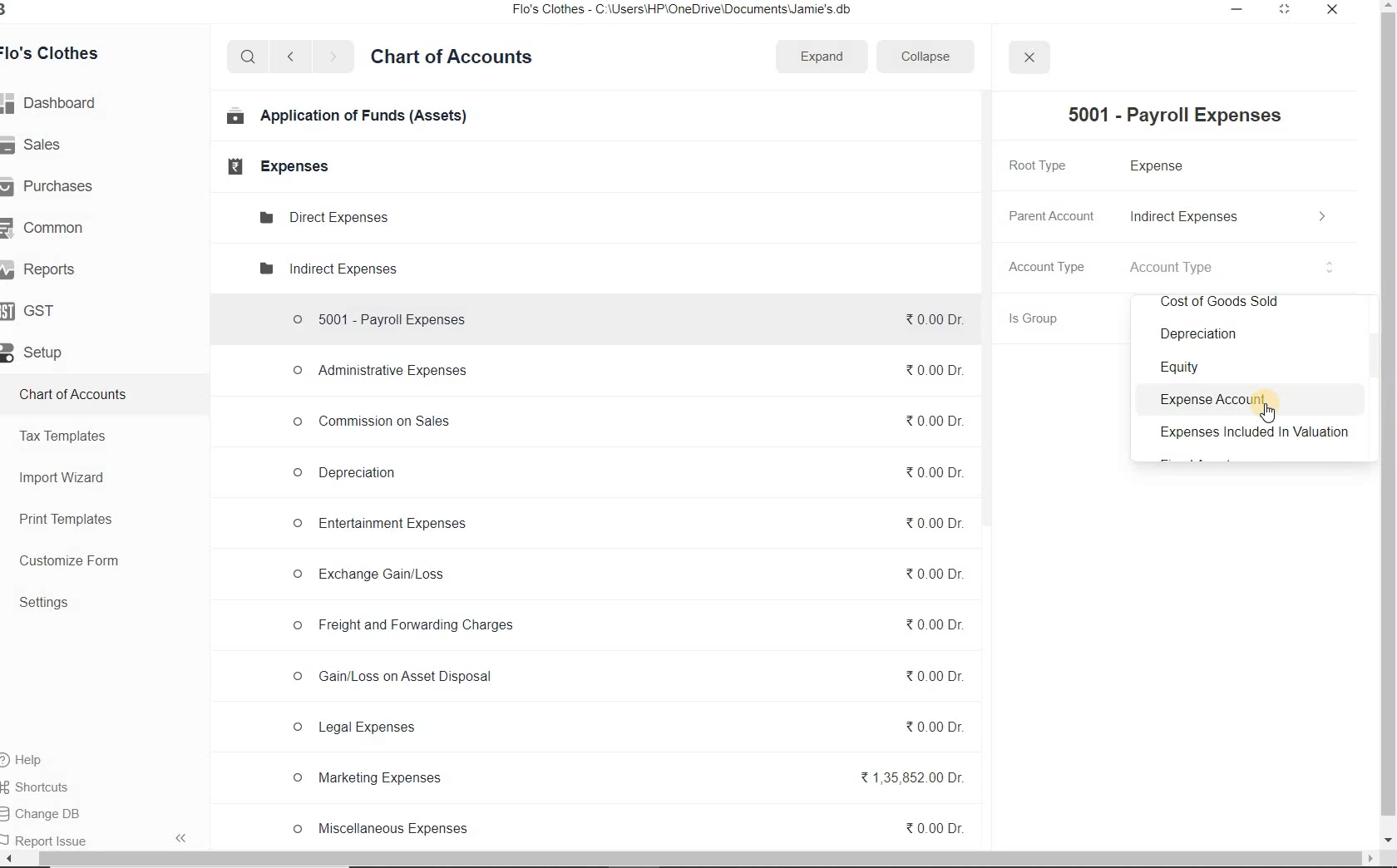  Describe the element at coordinates (1370, 366) in the screenshot. I see `vertical scrollbar` at that location.